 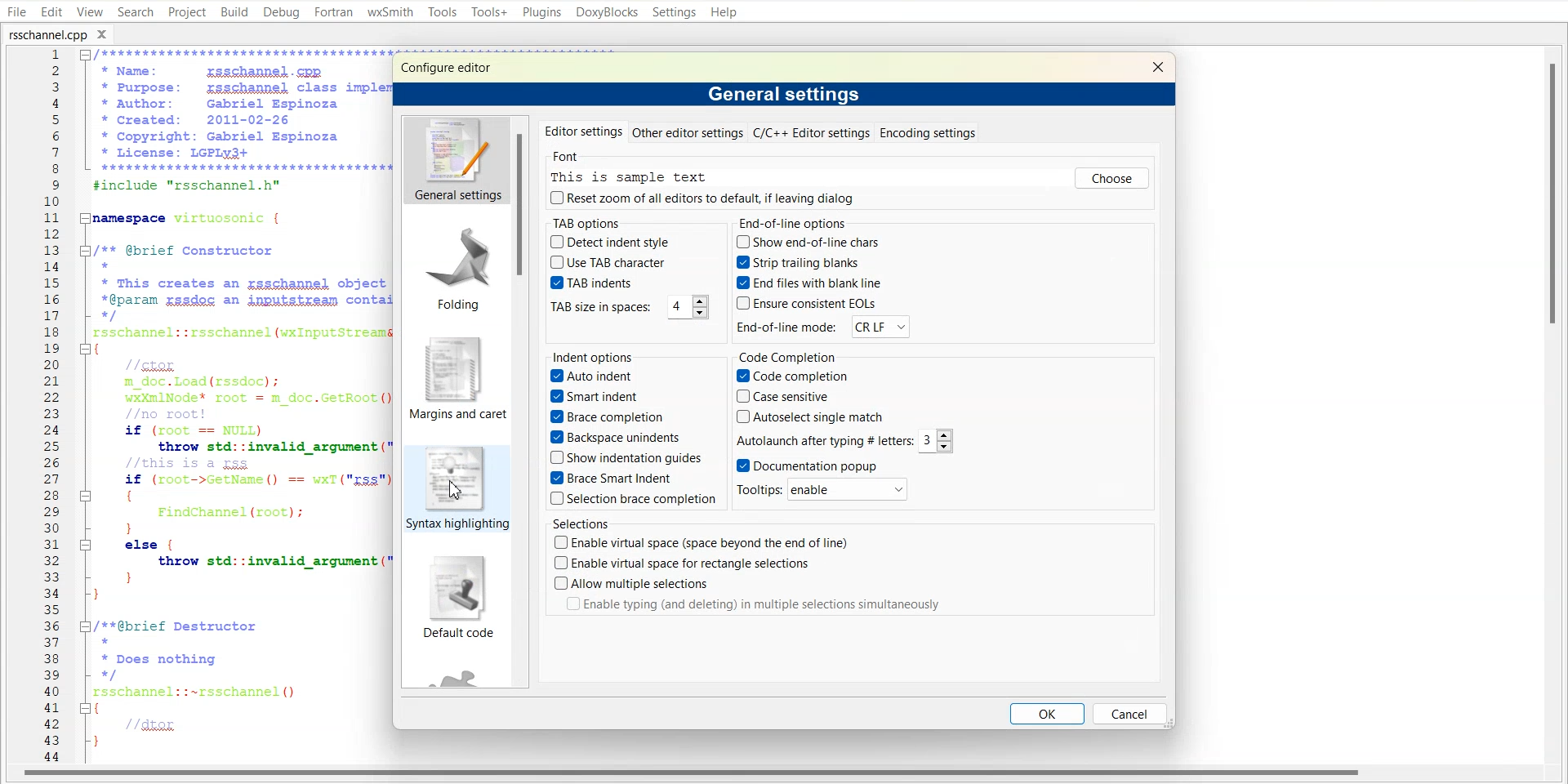 What do you see at coordinates (786, 358) in the screenshot?
I see `code Completion` at bounding box center [786, 358].